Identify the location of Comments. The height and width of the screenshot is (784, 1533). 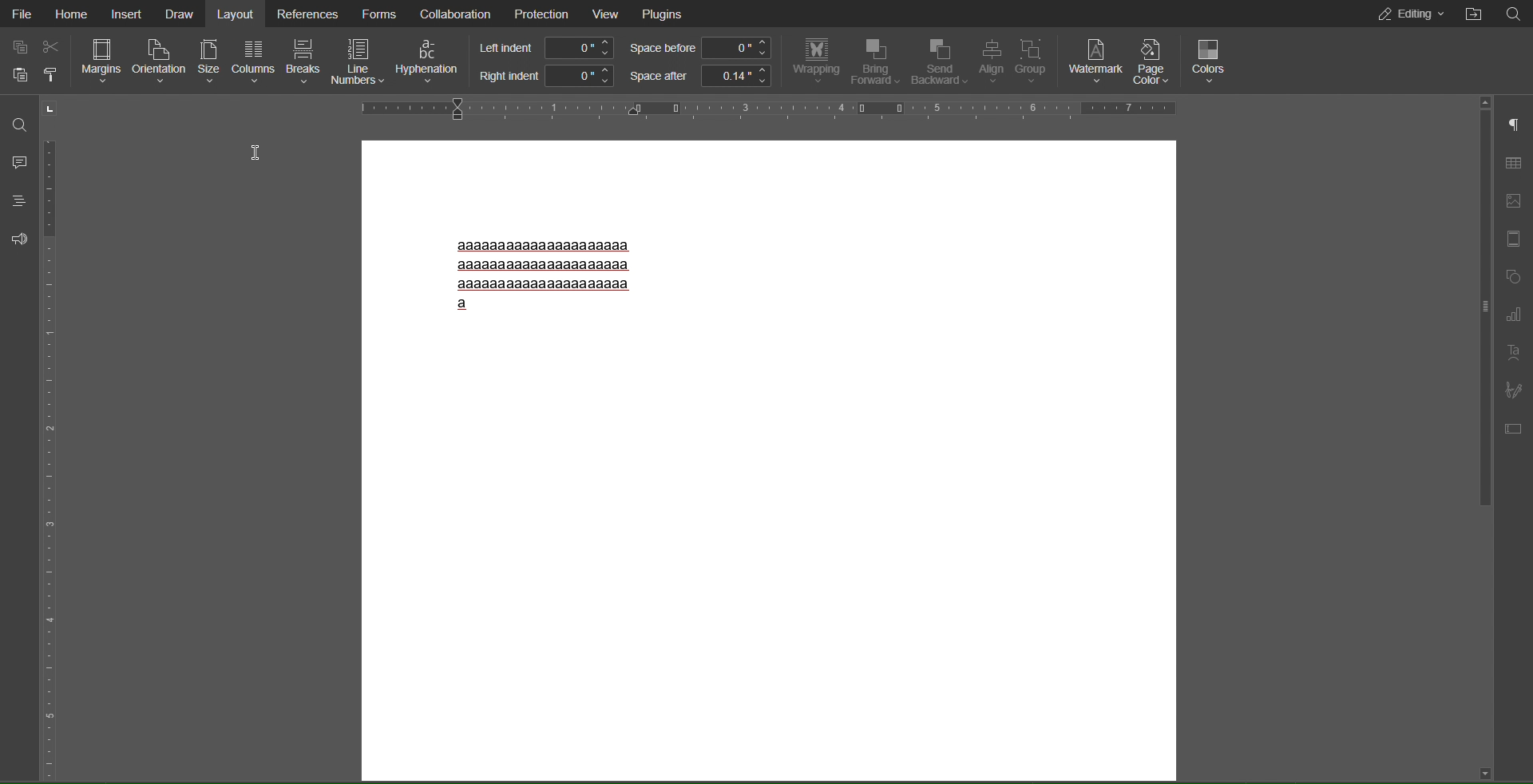
(18, 161).